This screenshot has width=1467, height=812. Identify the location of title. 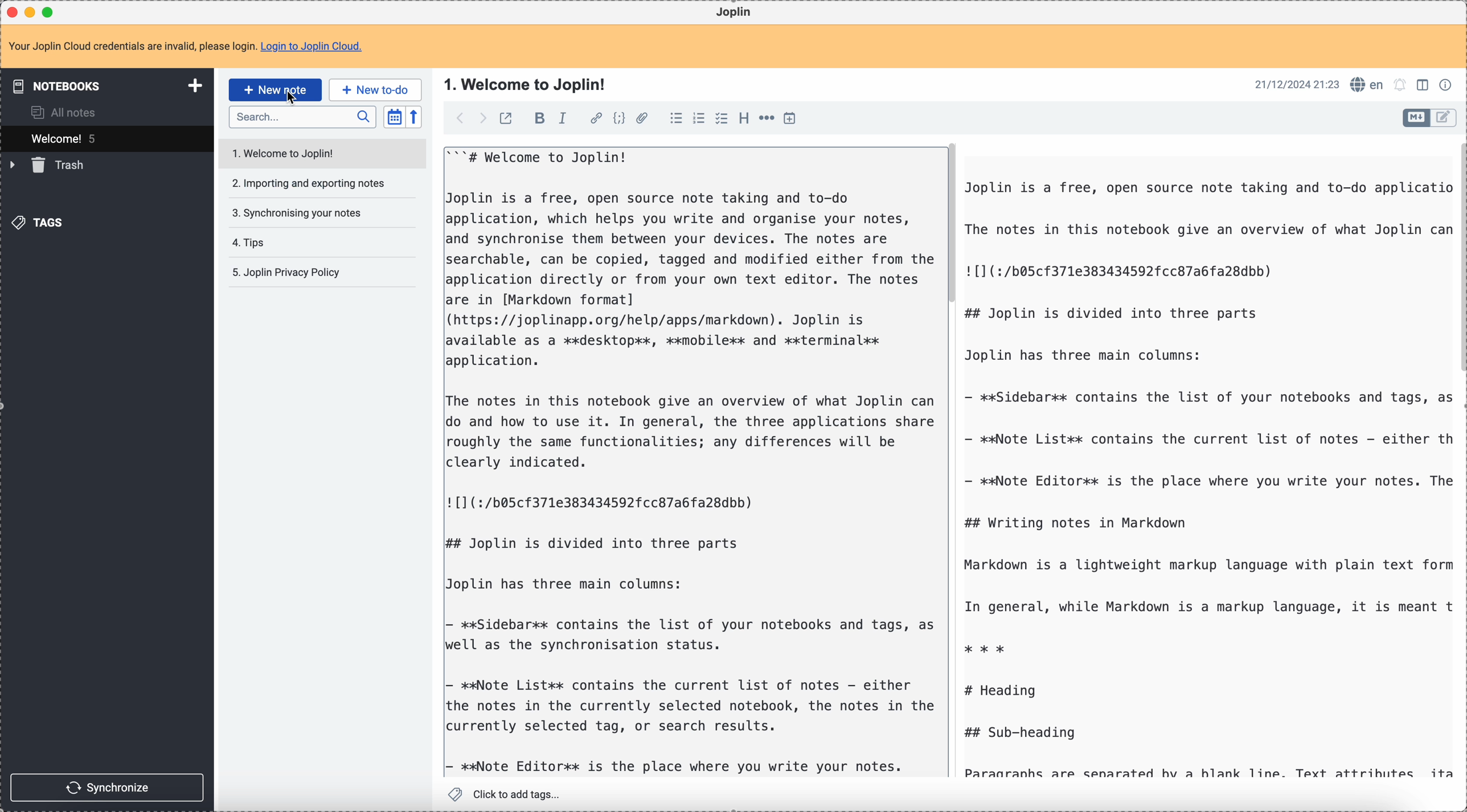
(524, 85).